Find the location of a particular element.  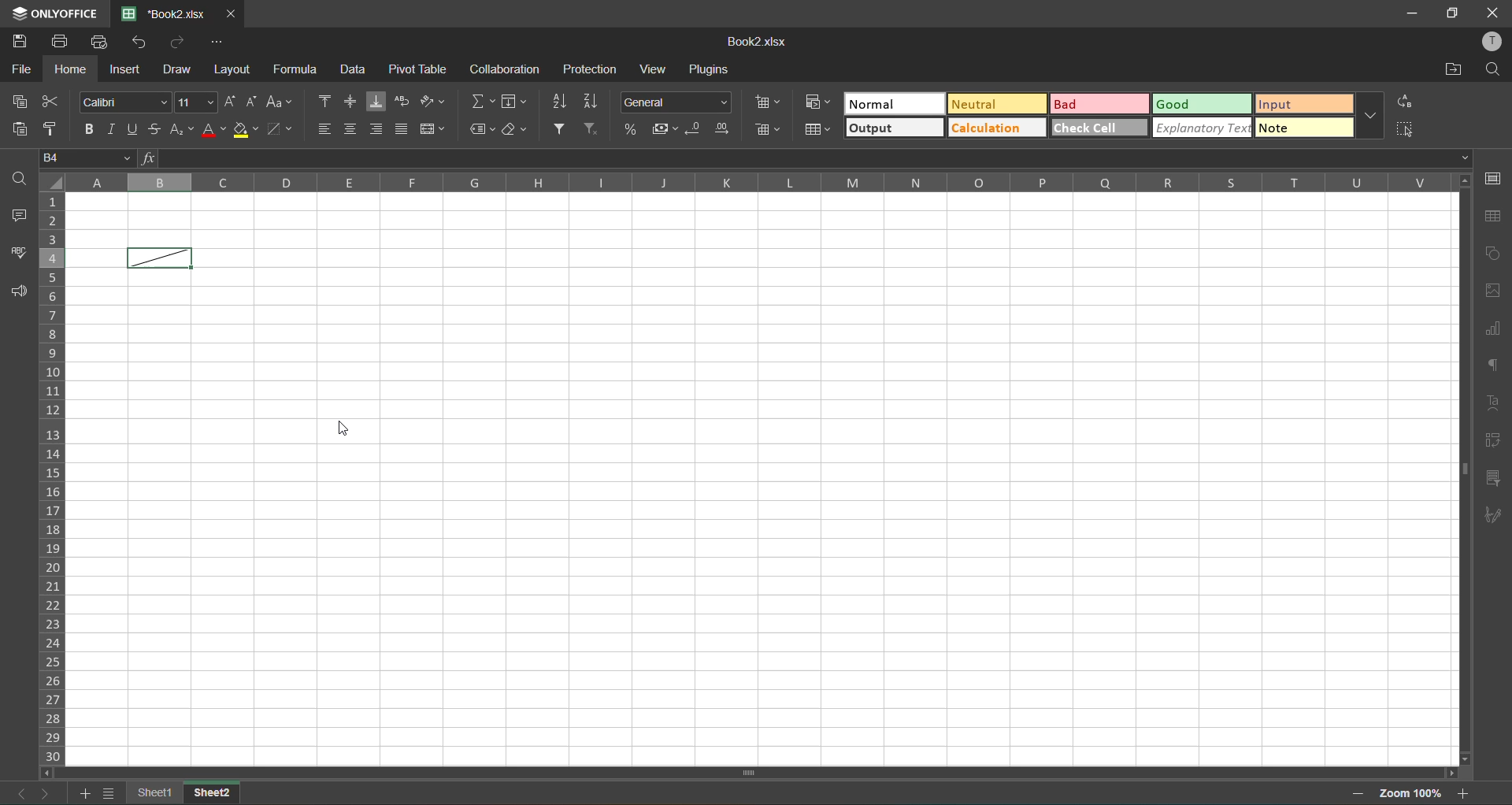

italic is located at coordinates (113, 129).